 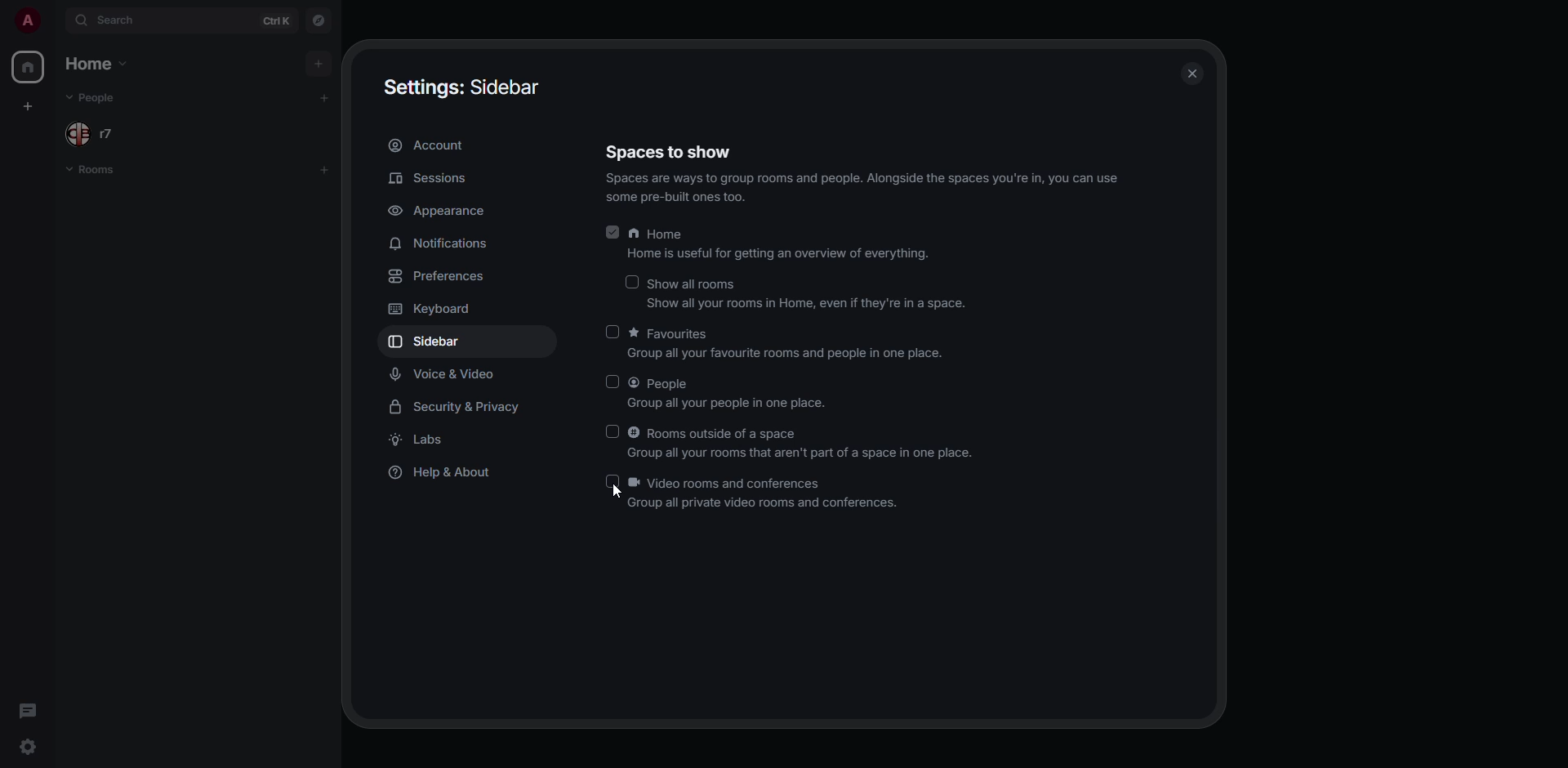 What do you see at coordinates (617, 482) in the screenshot?
I see `click to enable` at bounding box center [617, 482].